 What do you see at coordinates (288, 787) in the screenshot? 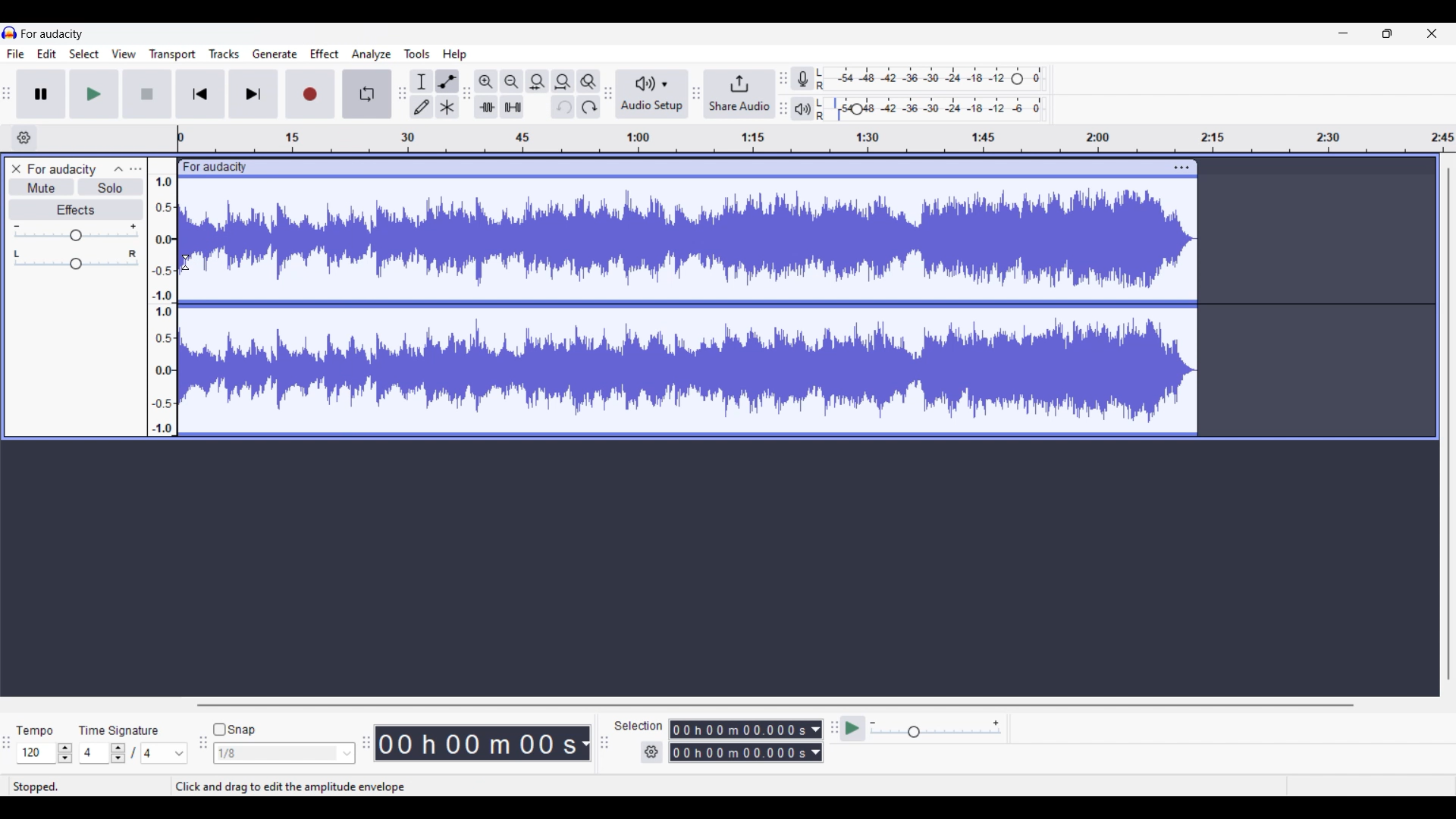
I see `Click and drag to edit the amplitude envelope` at bounding box center [288, 787].